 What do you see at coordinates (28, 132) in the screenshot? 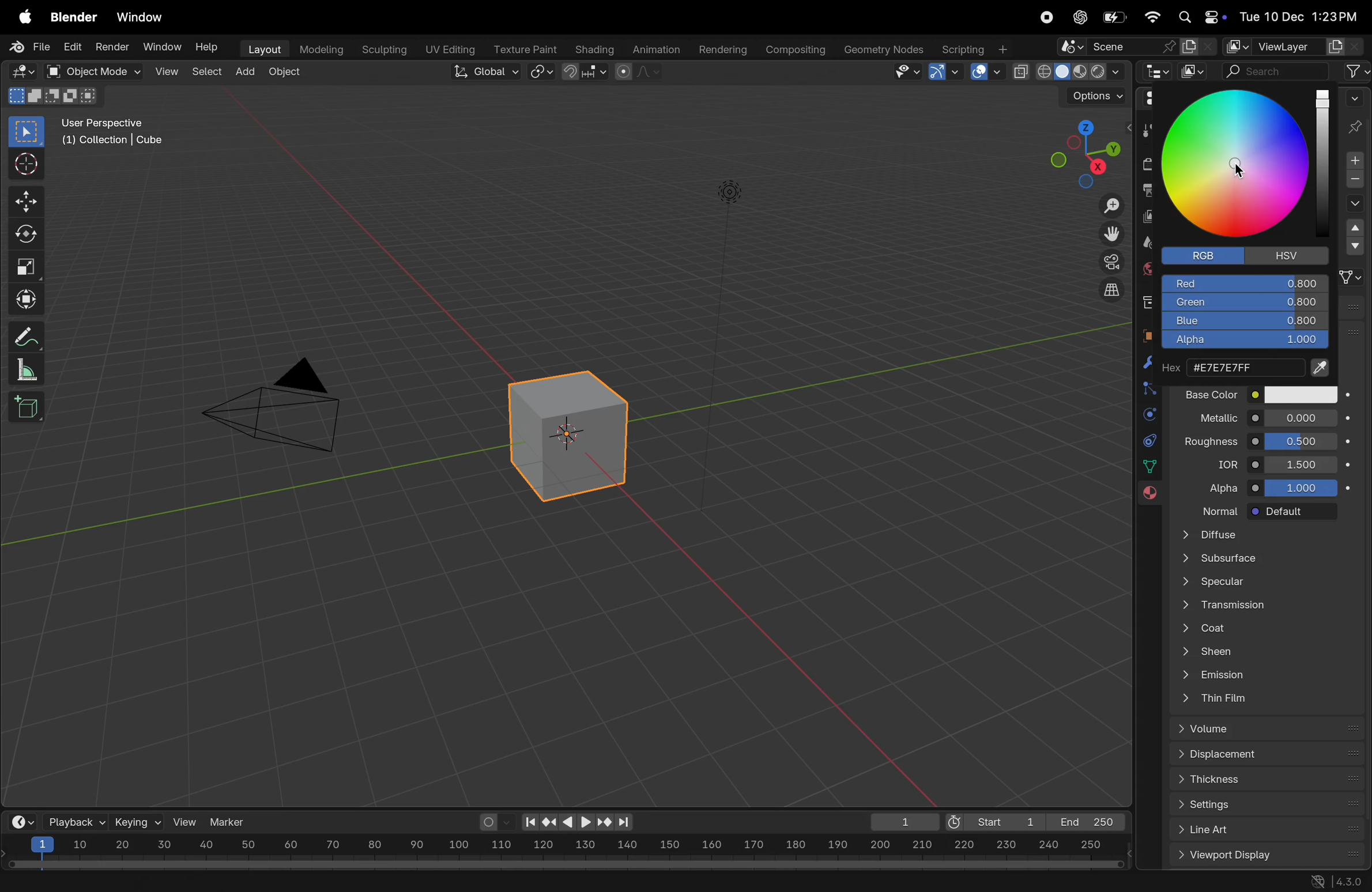
I see `select` at bounding box center [28, 132].